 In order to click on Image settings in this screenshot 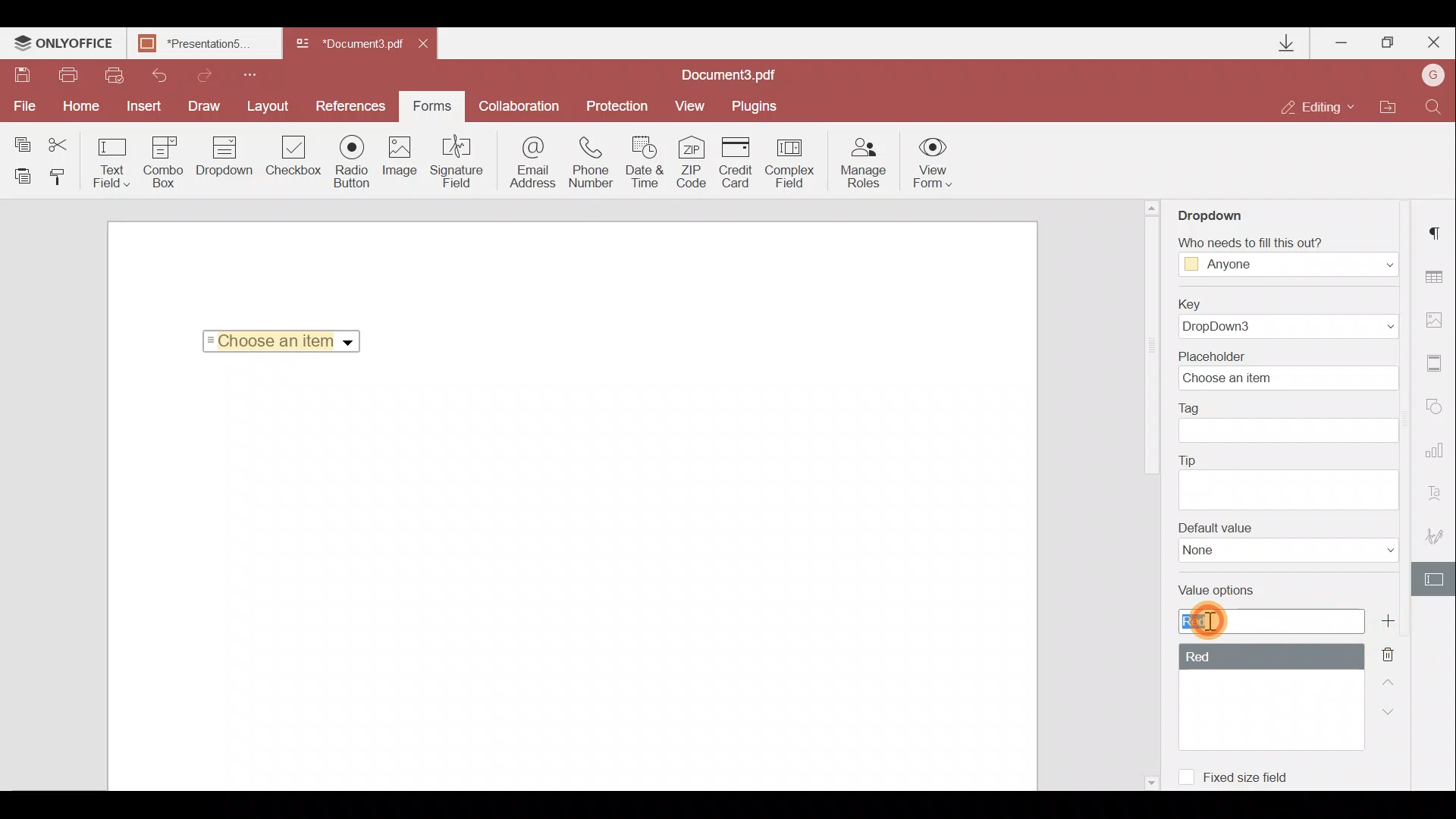, I will do `click(1439, 319)`.